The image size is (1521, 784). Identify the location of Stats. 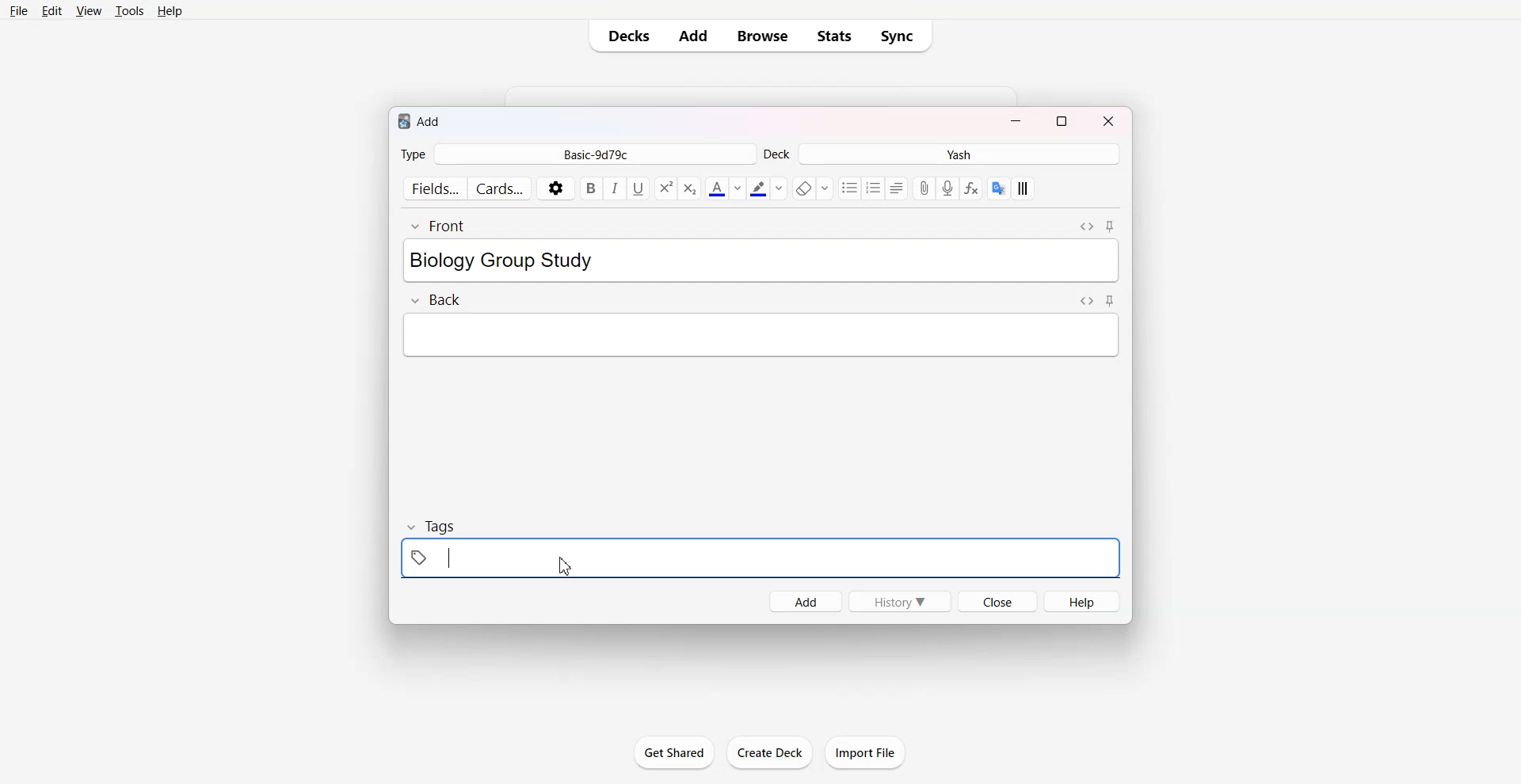
(835, 36).